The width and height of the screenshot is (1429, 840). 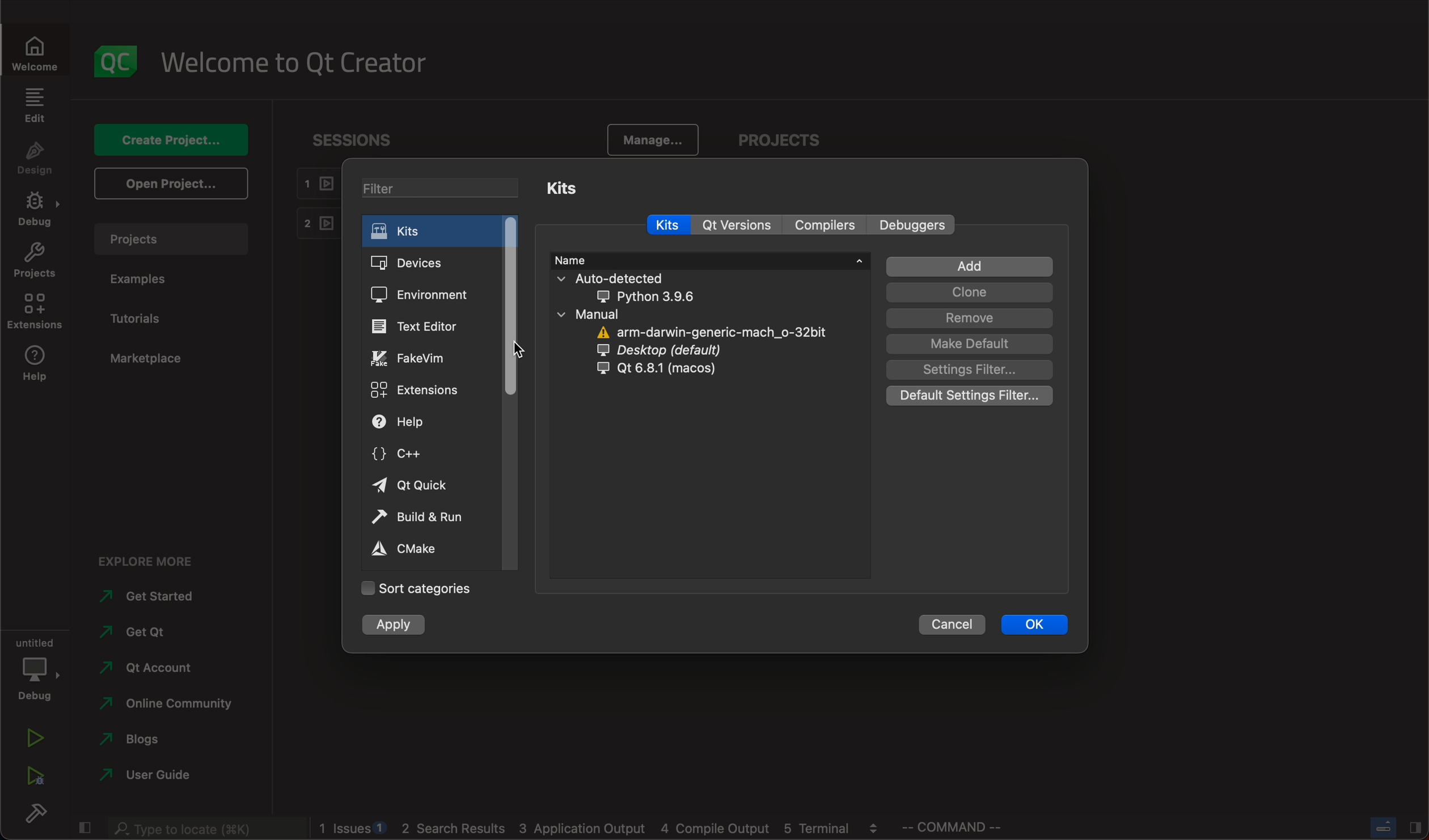 What do you see at coordinates (111, 62) in the screenshot?
I see `logo` at bounding box center [111, 62].